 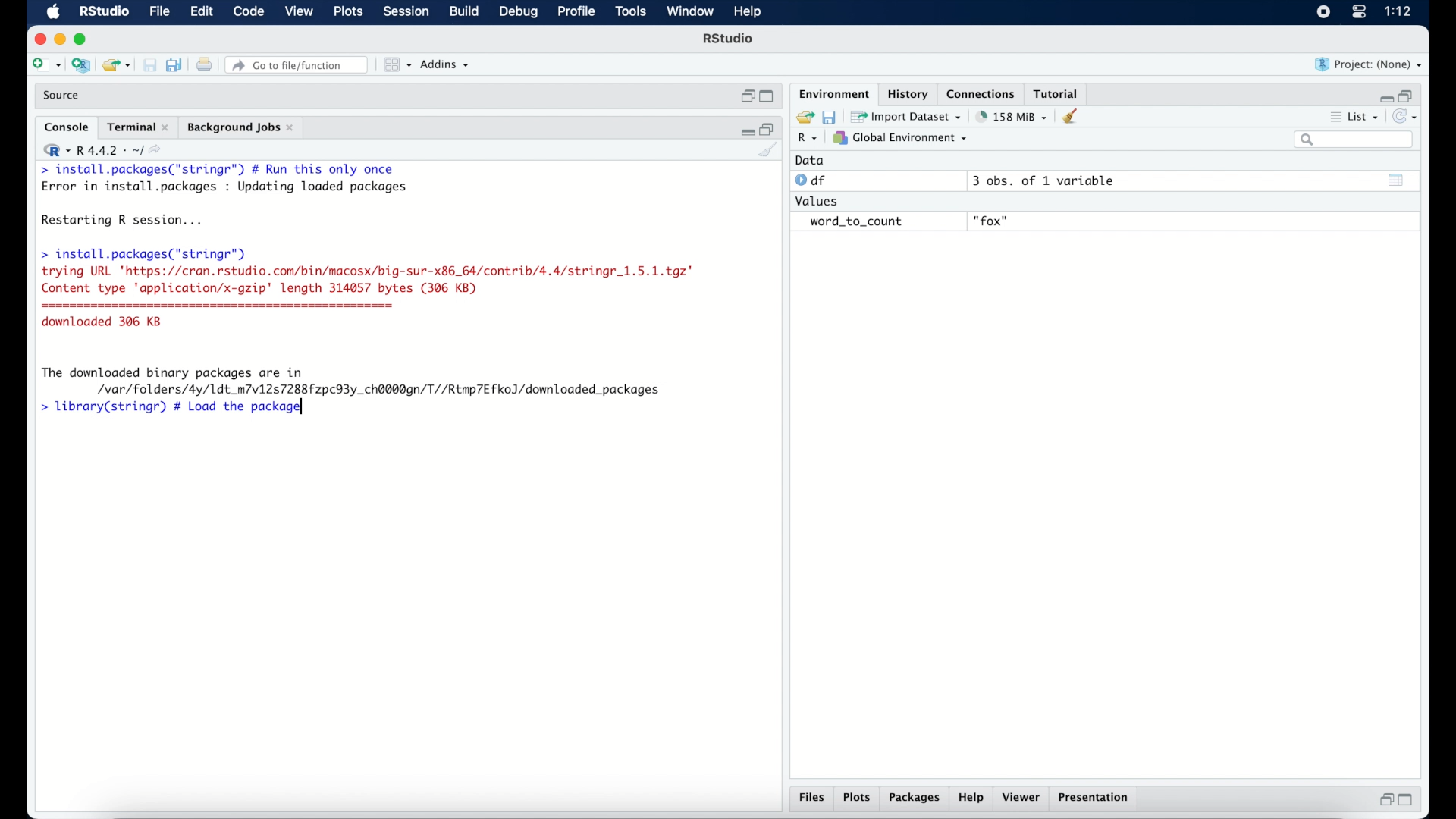 What do you see at coordinates (854, 222) in the screenshot?
I see `word_to_count` at bounding box center [854, 222].